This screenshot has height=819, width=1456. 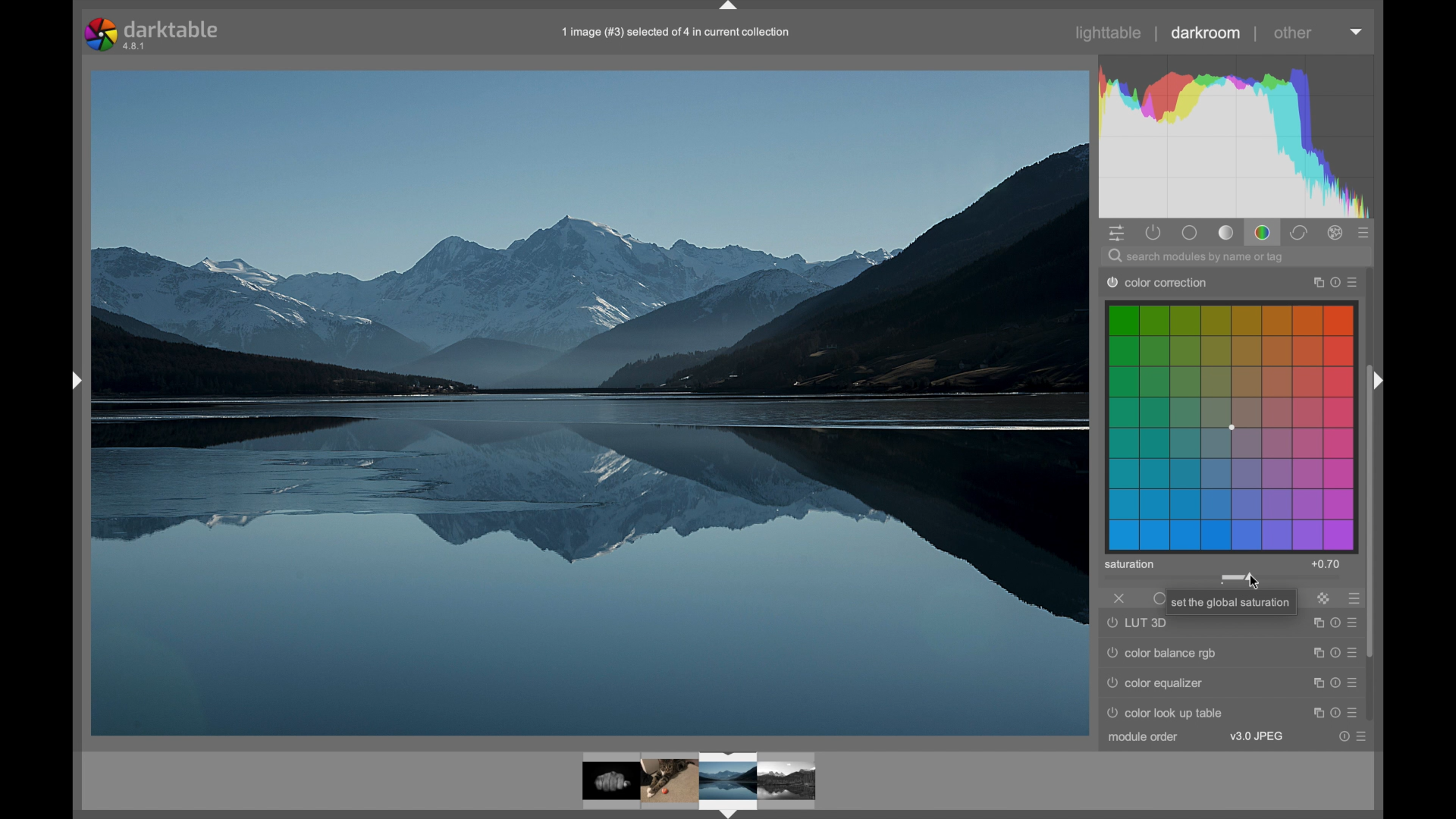 I want to click on more options, so click(x=1356, y=736).